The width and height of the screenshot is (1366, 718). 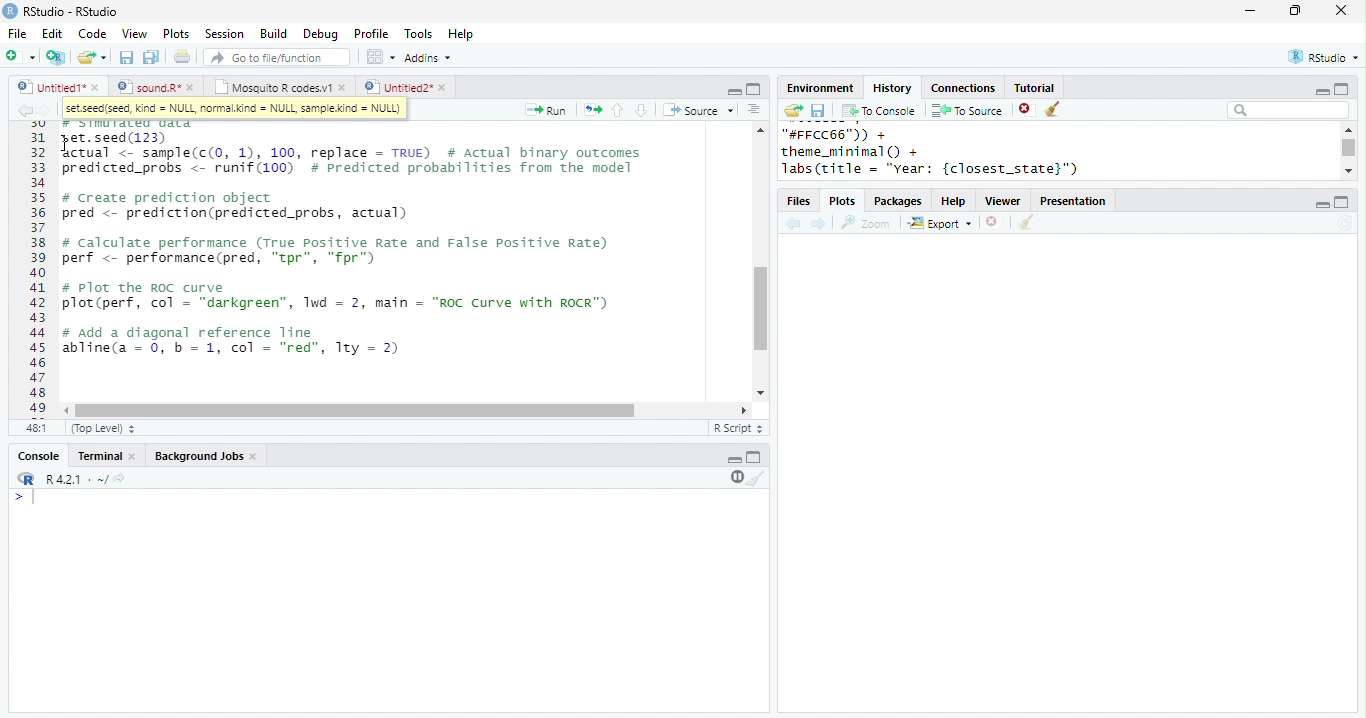 I want to click on save all, so click(x=151, y=57).